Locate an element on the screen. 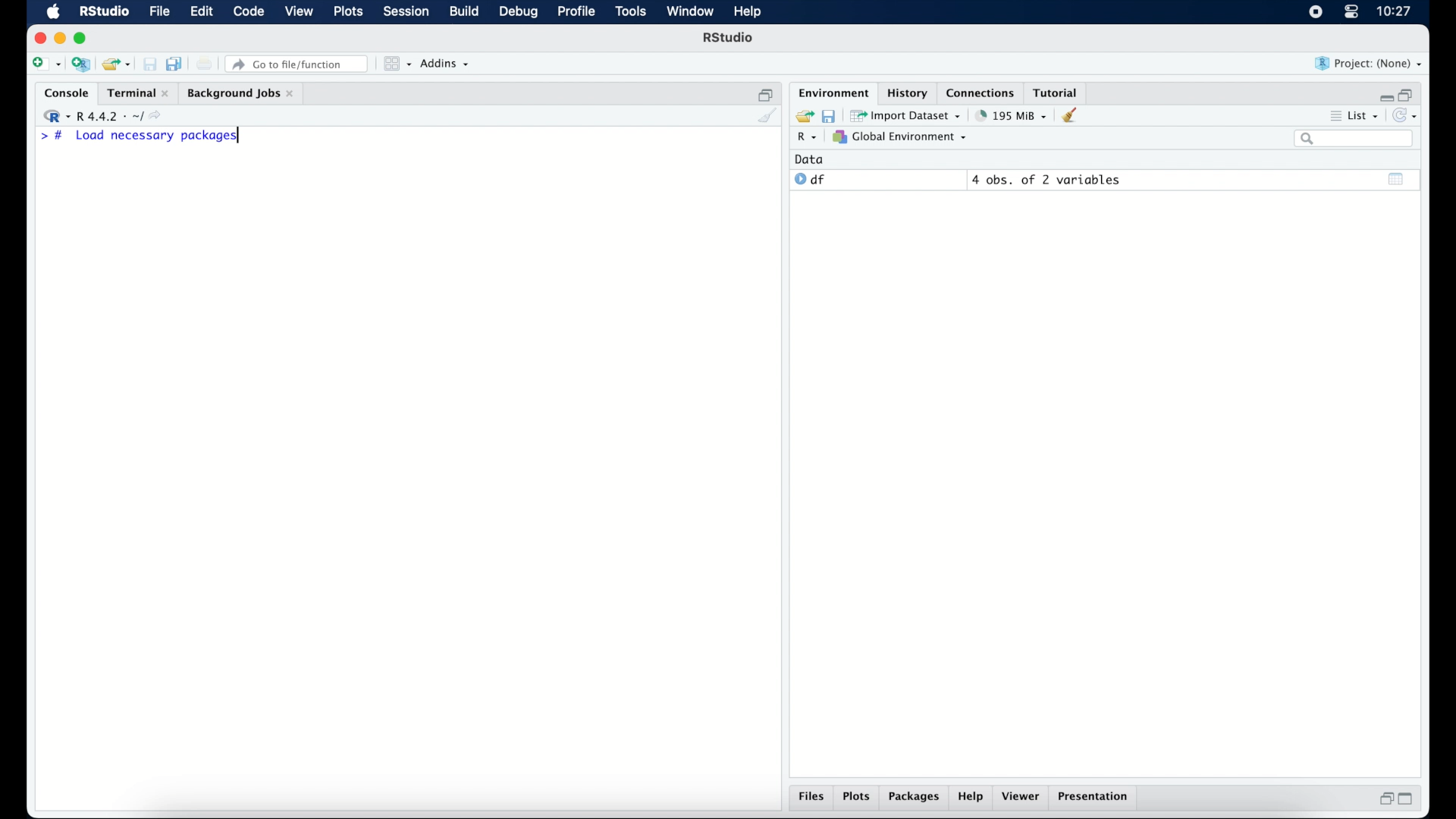 The image size is (1456, 819). load existing project is located at coordinates (115, 64).